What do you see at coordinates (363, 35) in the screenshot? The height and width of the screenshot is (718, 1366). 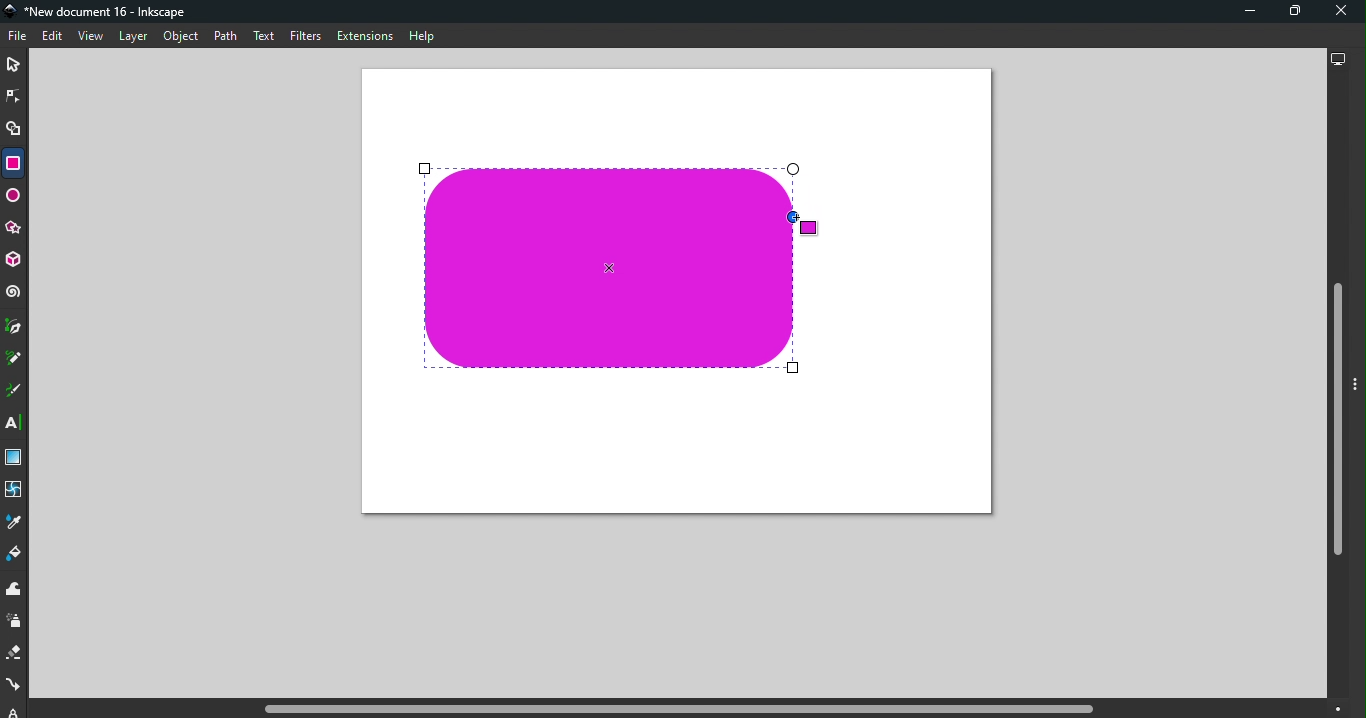 I see `Extensions` at bounding box center [363, 35].